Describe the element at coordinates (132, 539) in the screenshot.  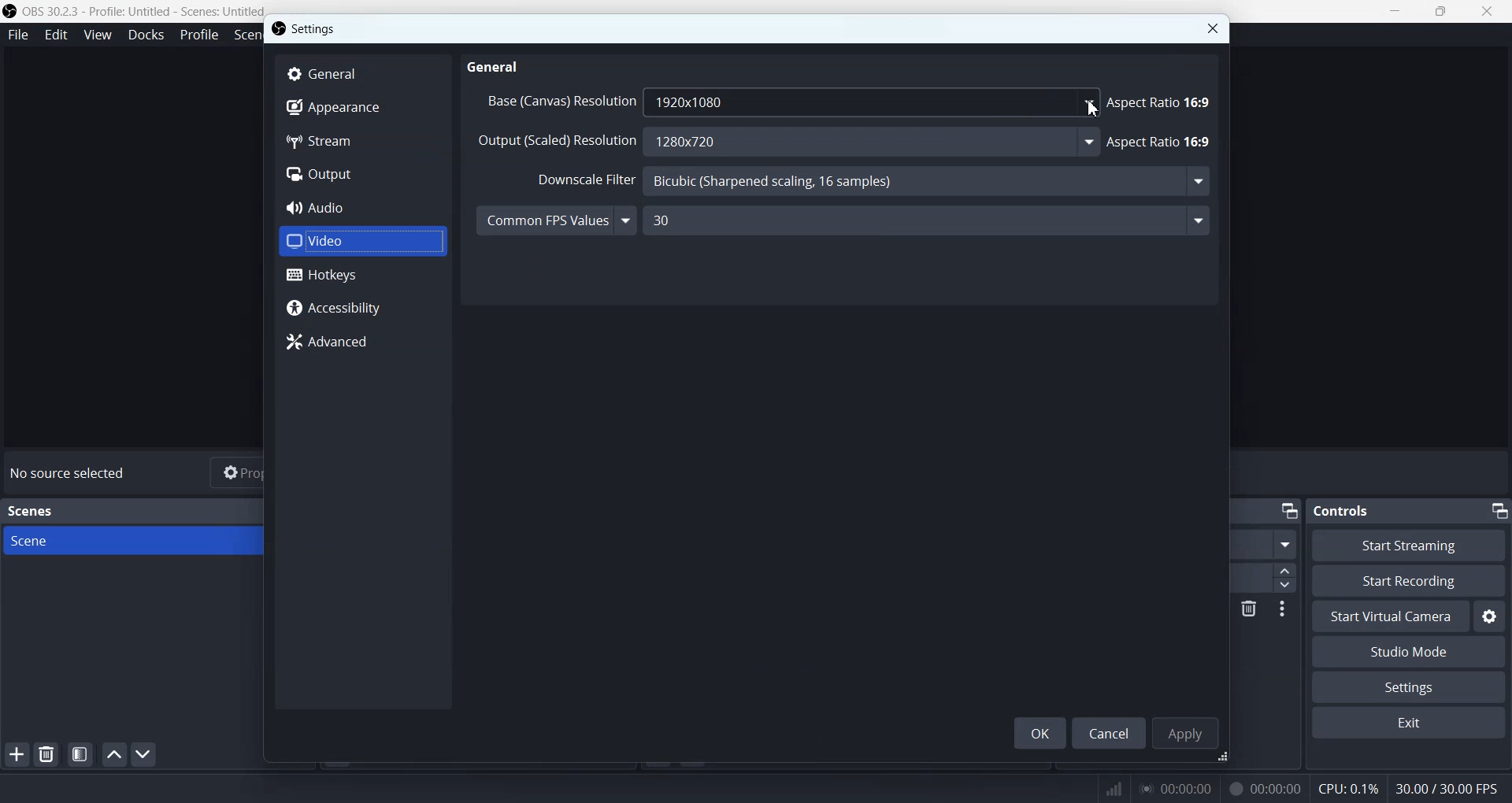
I see `Scene ` at that location.